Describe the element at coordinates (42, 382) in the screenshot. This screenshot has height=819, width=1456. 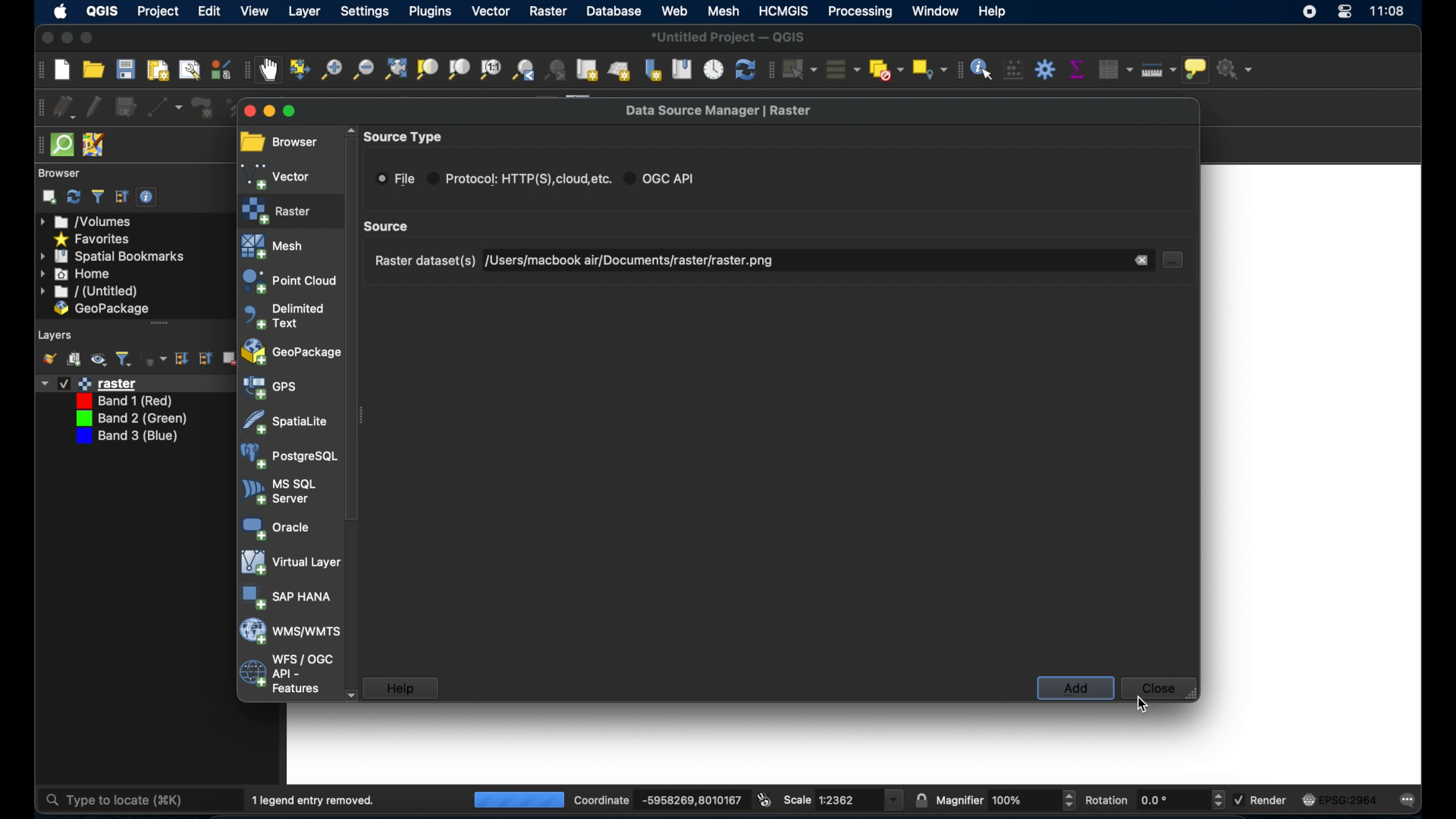
I see `dropdown` at that location.